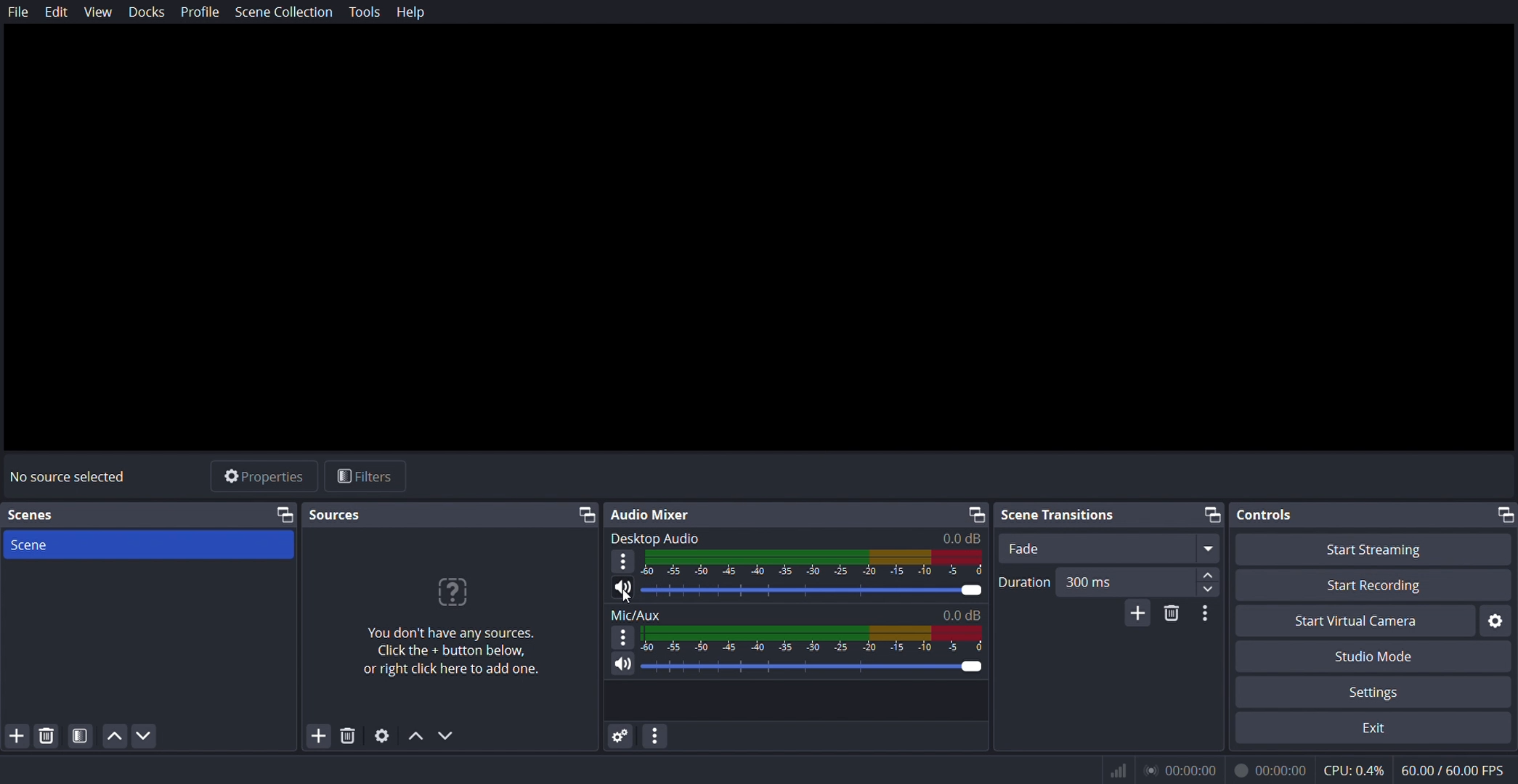 The height and width of the screenshot is (784, 1518). Describe the element at coordinates (1170, 613) in the screenshot. I see `delete scene transitions` at that location.